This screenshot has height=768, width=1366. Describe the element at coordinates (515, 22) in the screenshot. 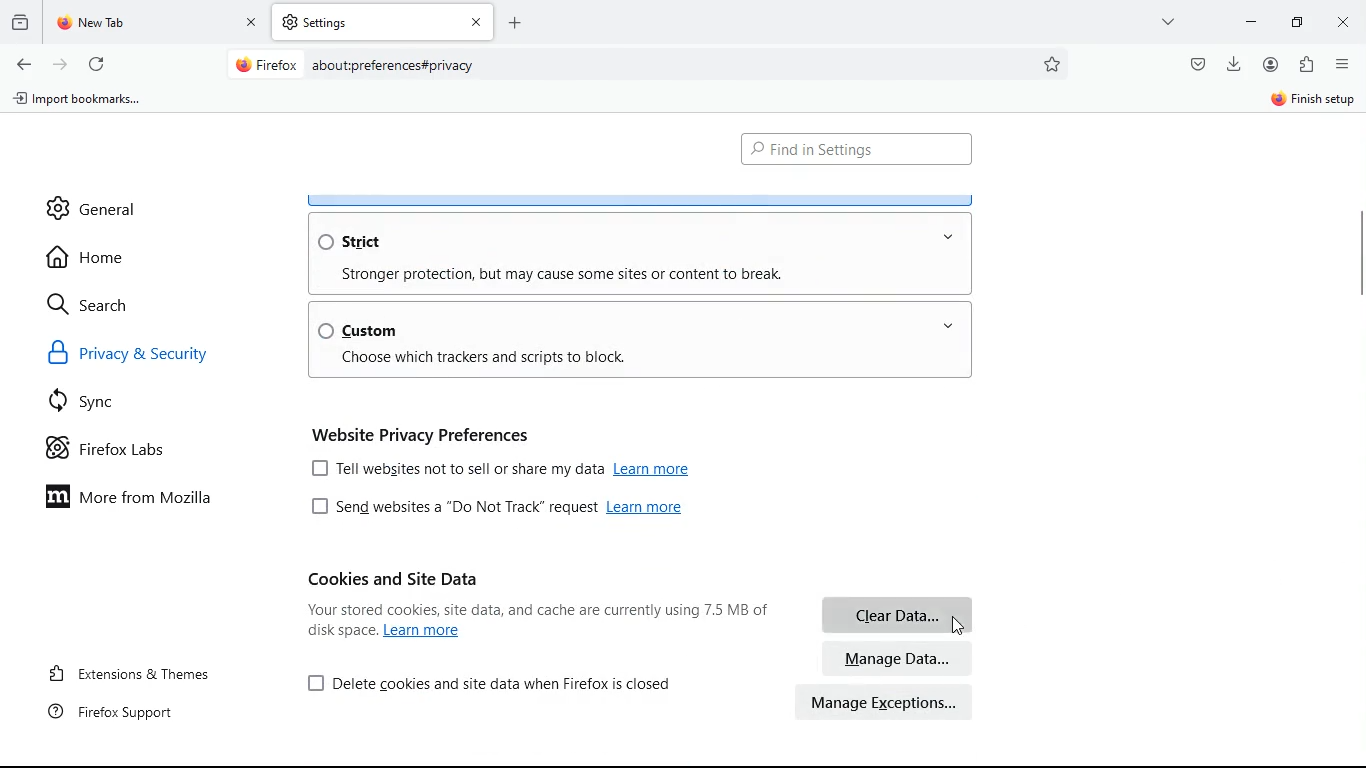

I see `Add new Tab` at that location.